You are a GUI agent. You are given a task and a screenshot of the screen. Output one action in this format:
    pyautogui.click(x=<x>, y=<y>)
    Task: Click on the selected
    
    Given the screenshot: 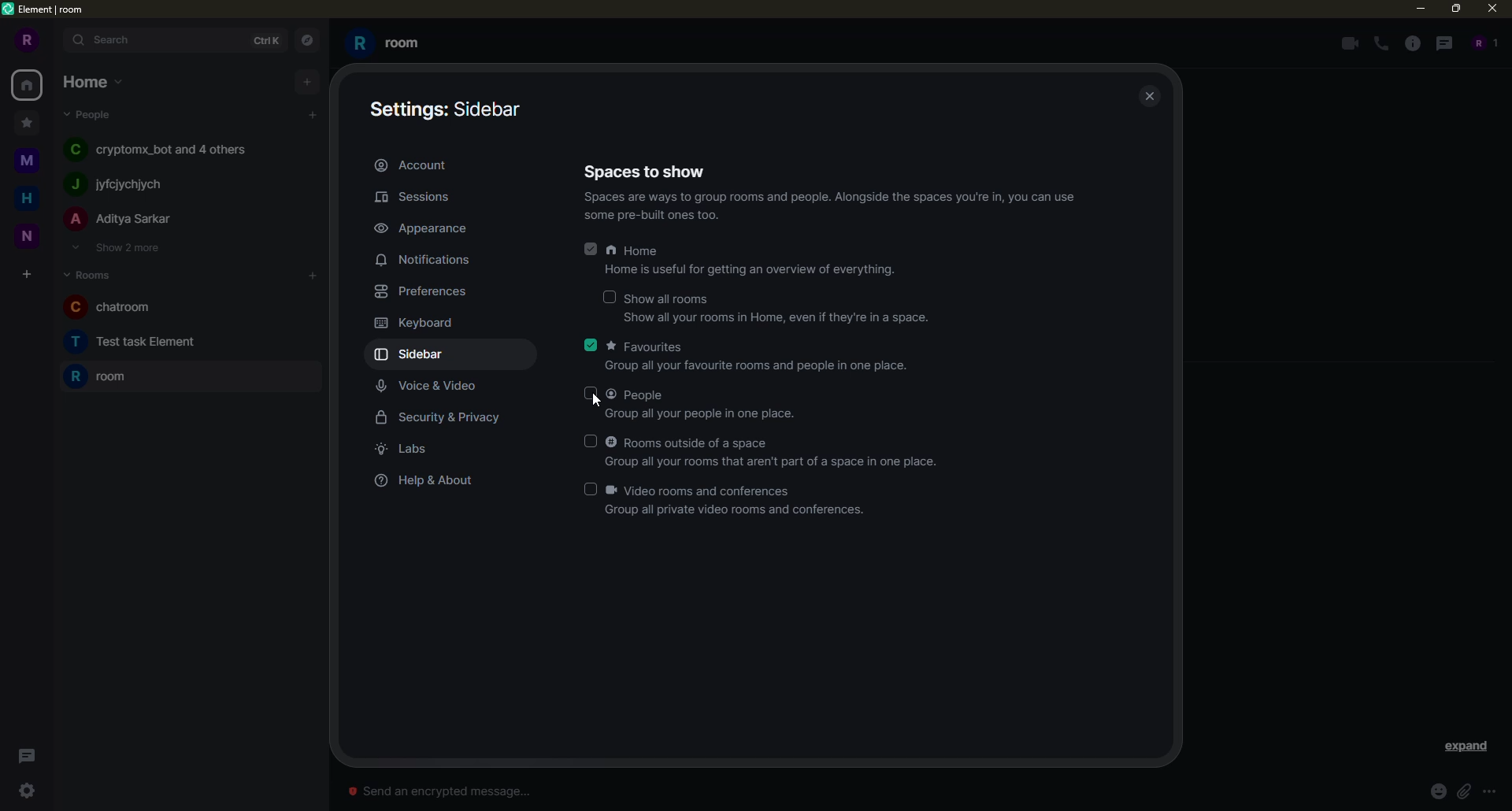 What is the action you would take?
    pyautogui.click(x=592, y=345)
    